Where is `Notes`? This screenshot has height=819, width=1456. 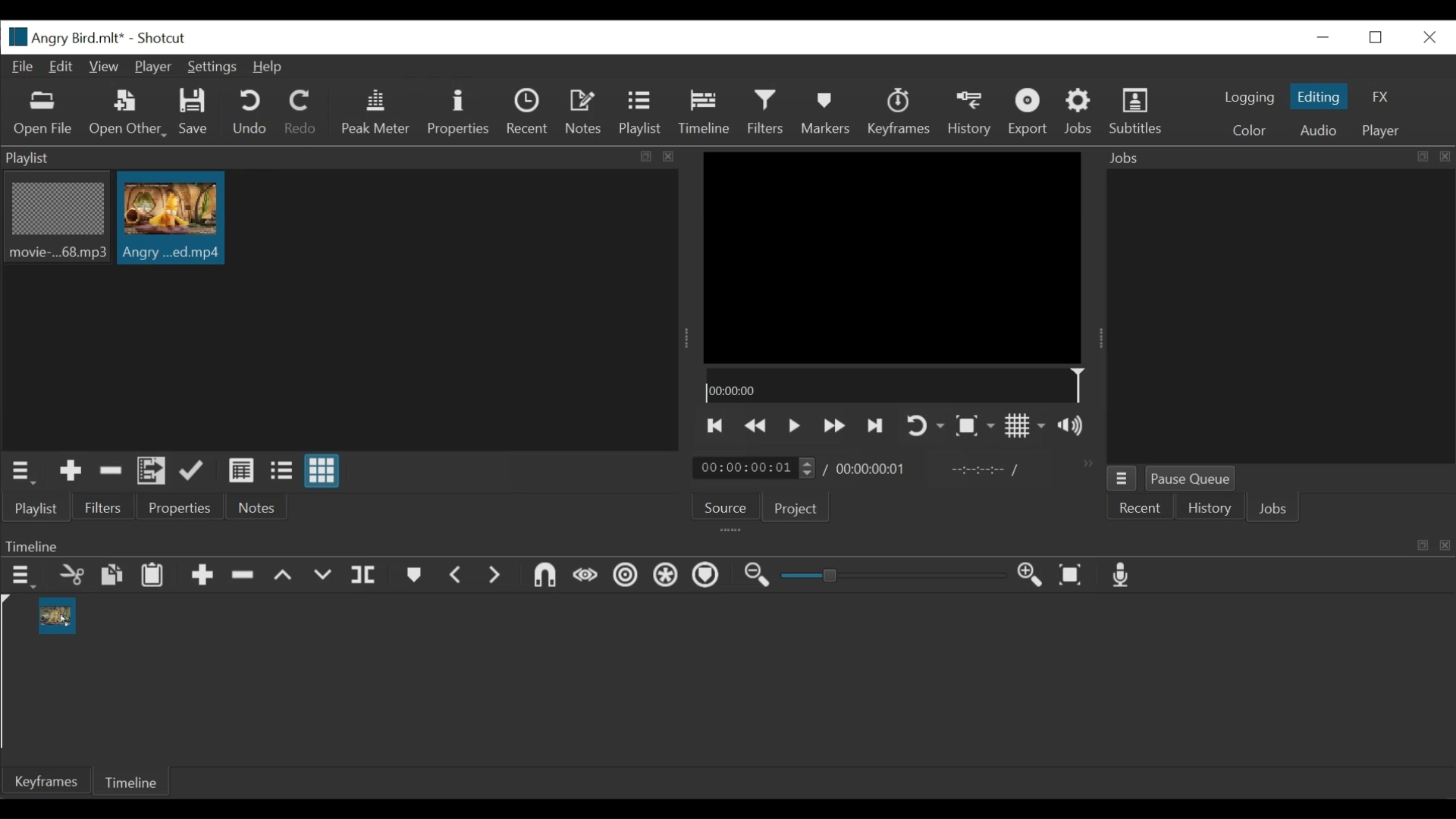
Notes is located at coordinates (253, 507).